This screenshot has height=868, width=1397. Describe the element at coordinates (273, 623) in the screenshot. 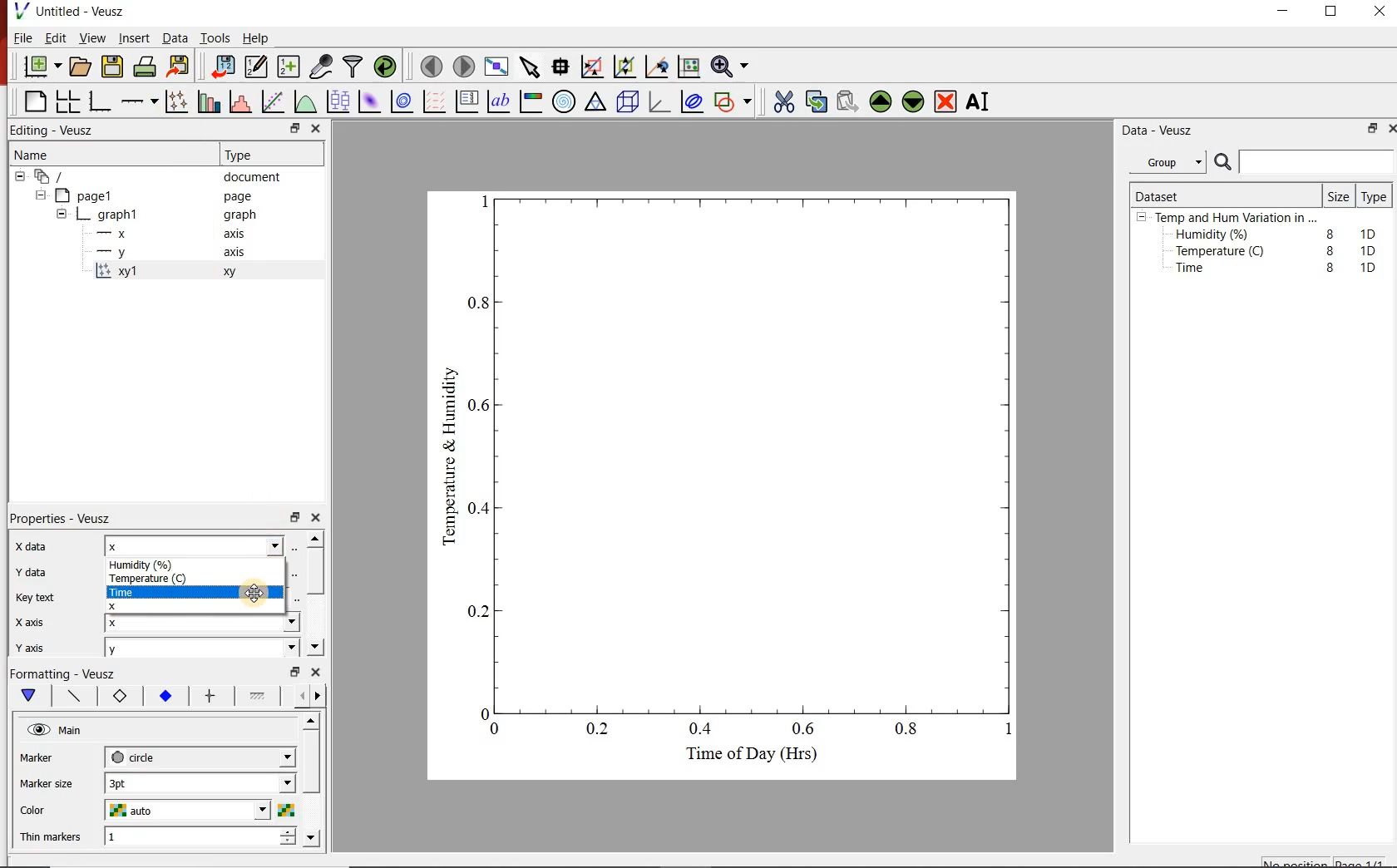

I see `x axis dropdown` at that location.